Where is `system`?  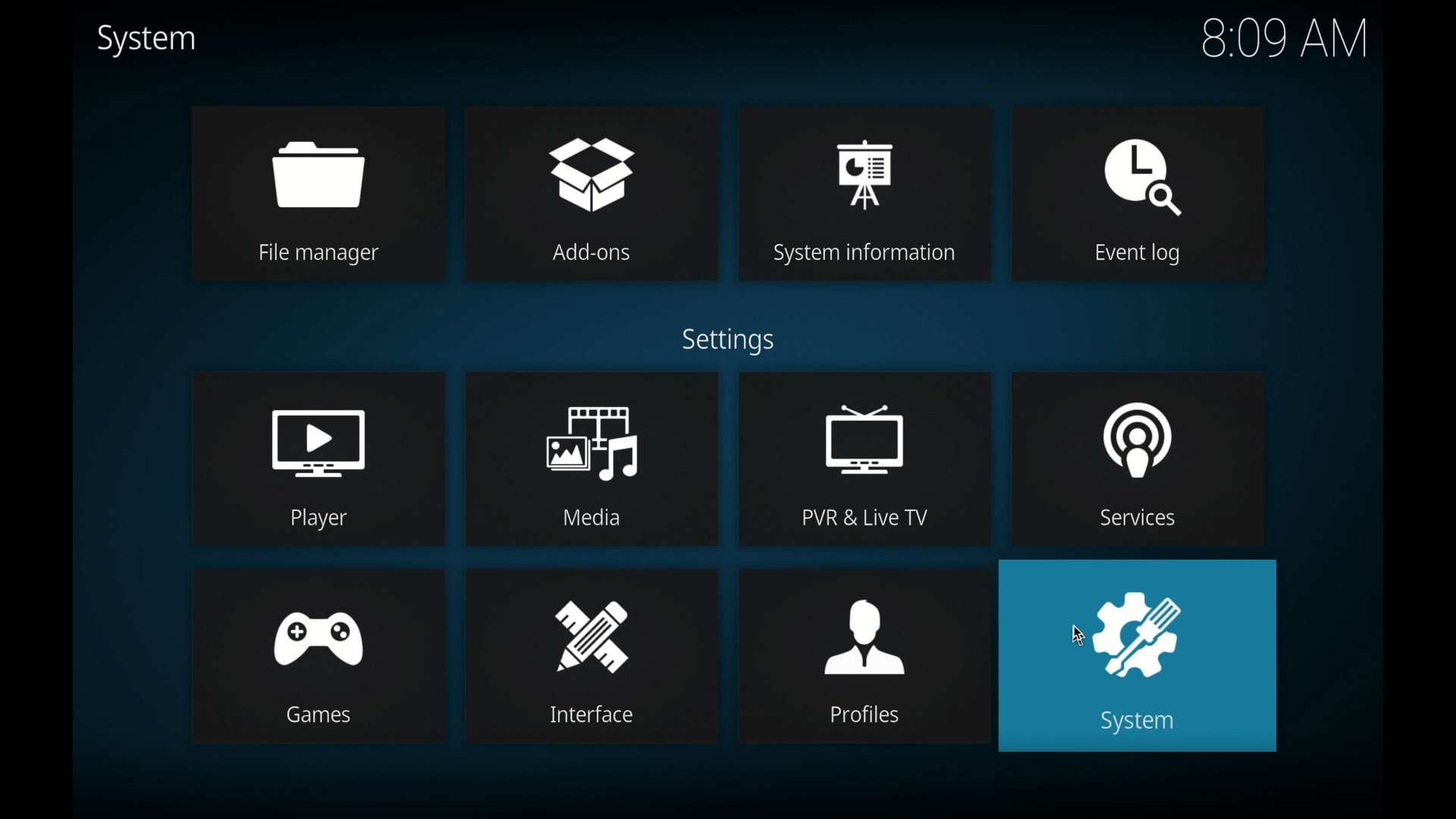 system is located at coordinates (1141, 657).